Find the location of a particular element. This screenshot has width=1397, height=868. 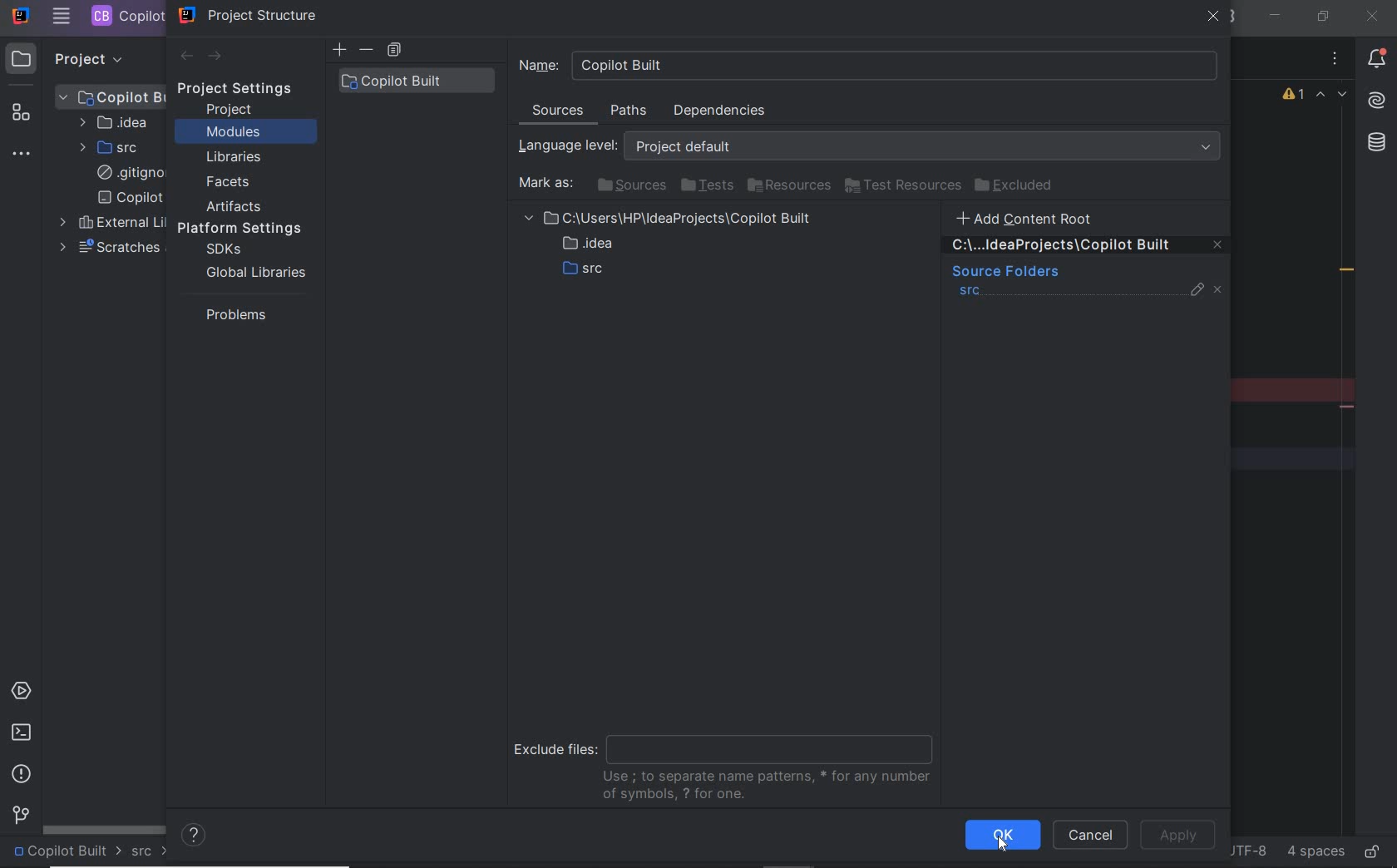

sdks is located at coordinates (222, 250).